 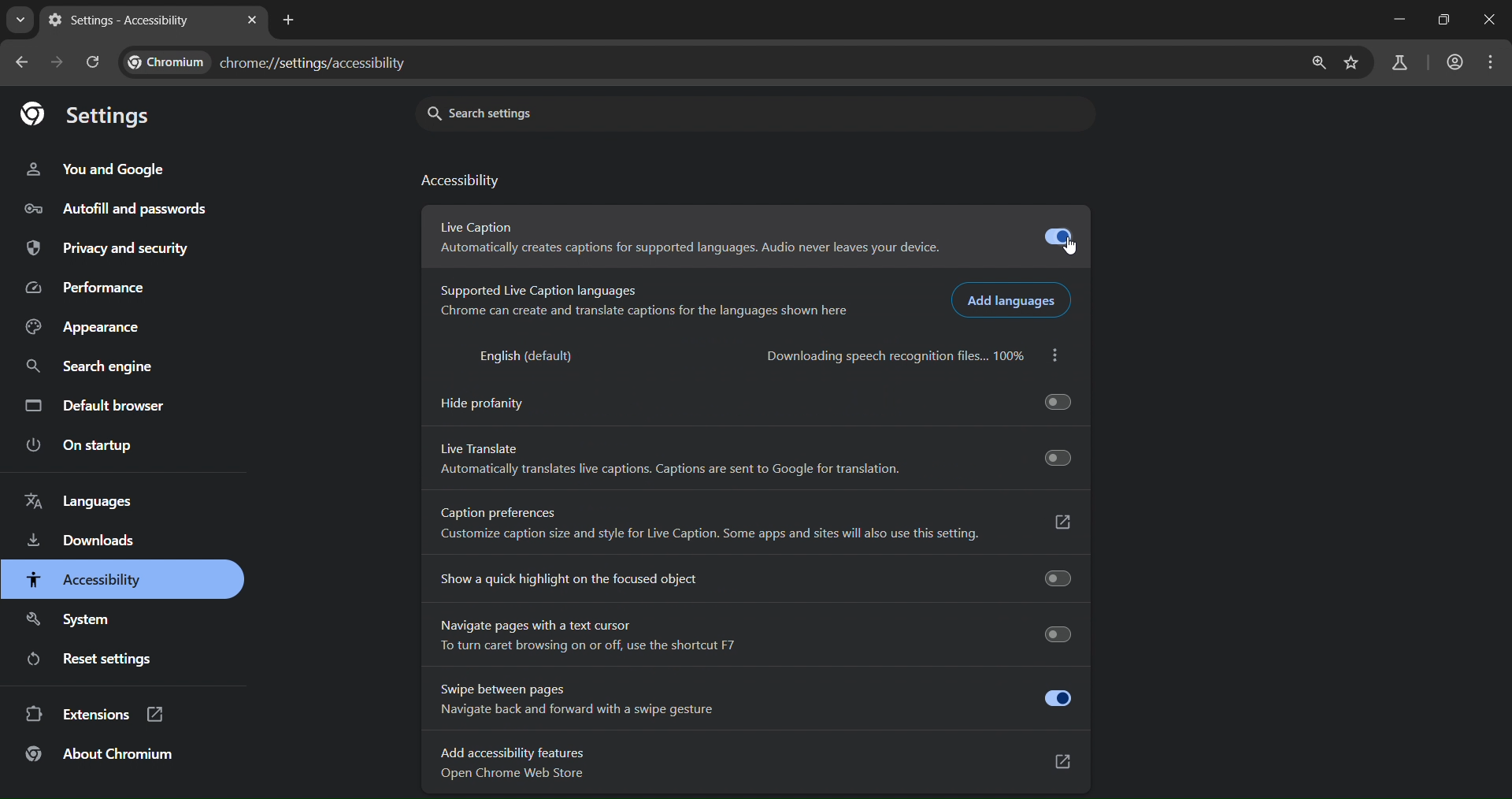 What do you see at coordinates (1447, 19) in the screenshot?
I see `restore down` at bounding box center [1447, 19].